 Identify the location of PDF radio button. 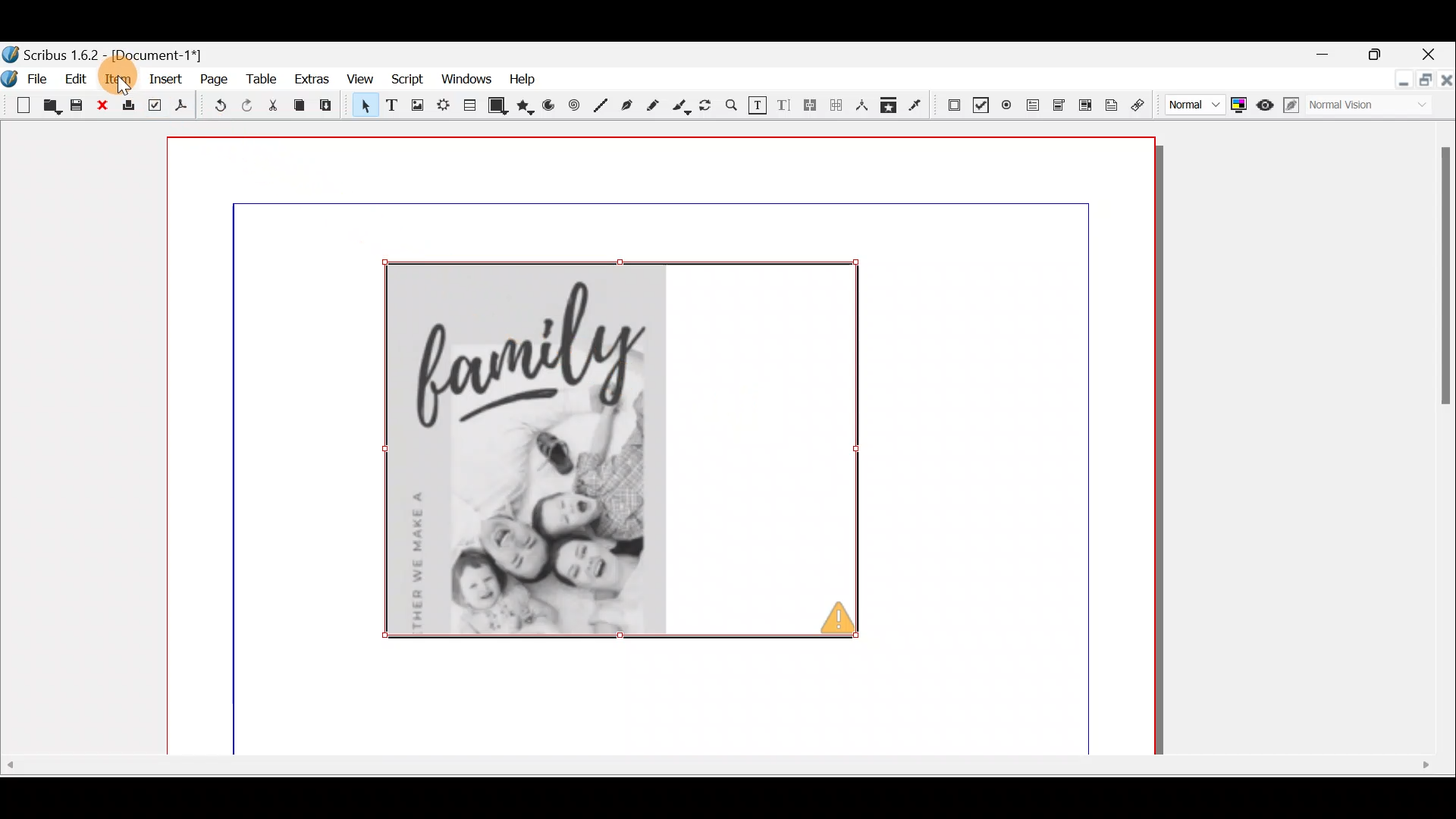
(1006, 104).